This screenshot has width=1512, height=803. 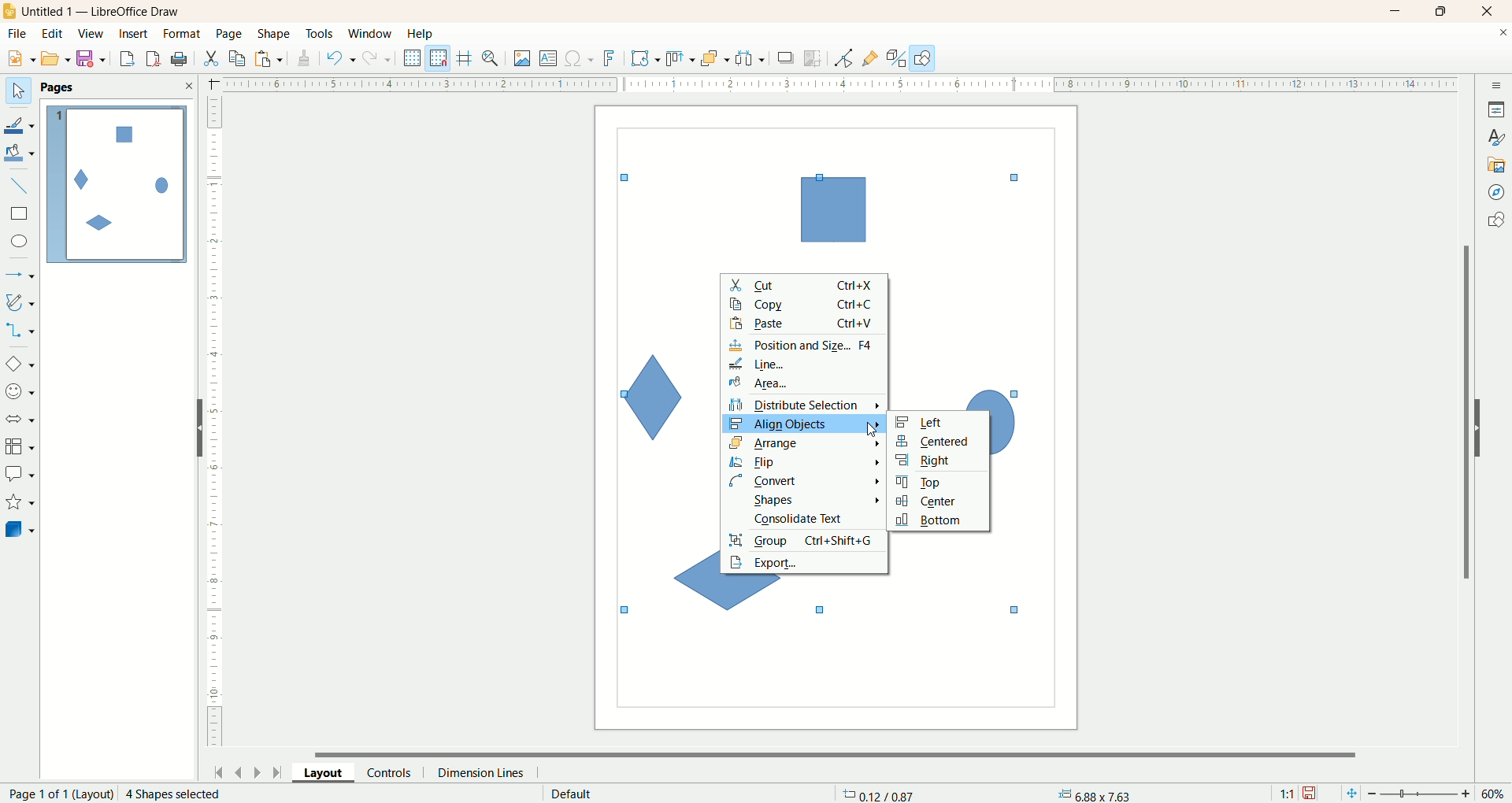 I want to click on select, so click(x=18, y=91).